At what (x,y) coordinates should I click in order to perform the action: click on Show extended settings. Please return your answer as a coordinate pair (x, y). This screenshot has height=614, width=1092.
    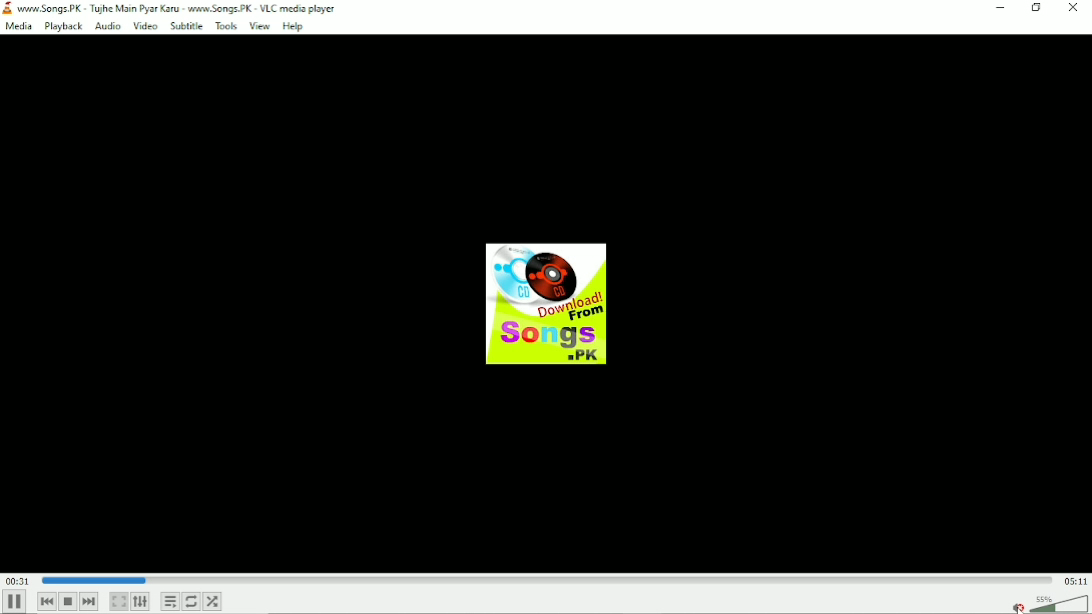
    Looking at the image, I should click on (141, 601).